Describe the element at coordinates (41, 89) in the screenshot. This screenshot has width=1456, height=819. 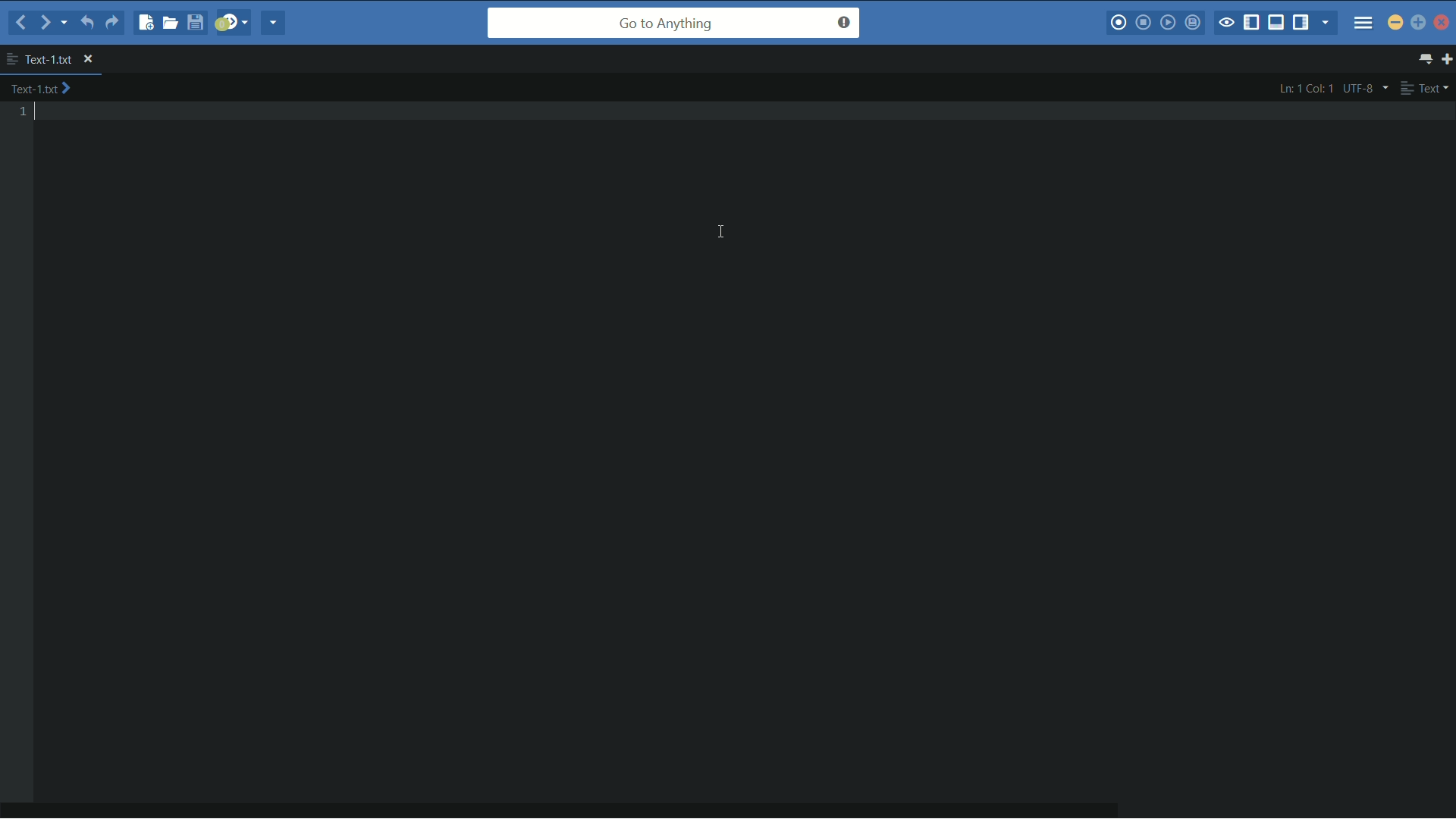
I see `text-1.txt` at that location.